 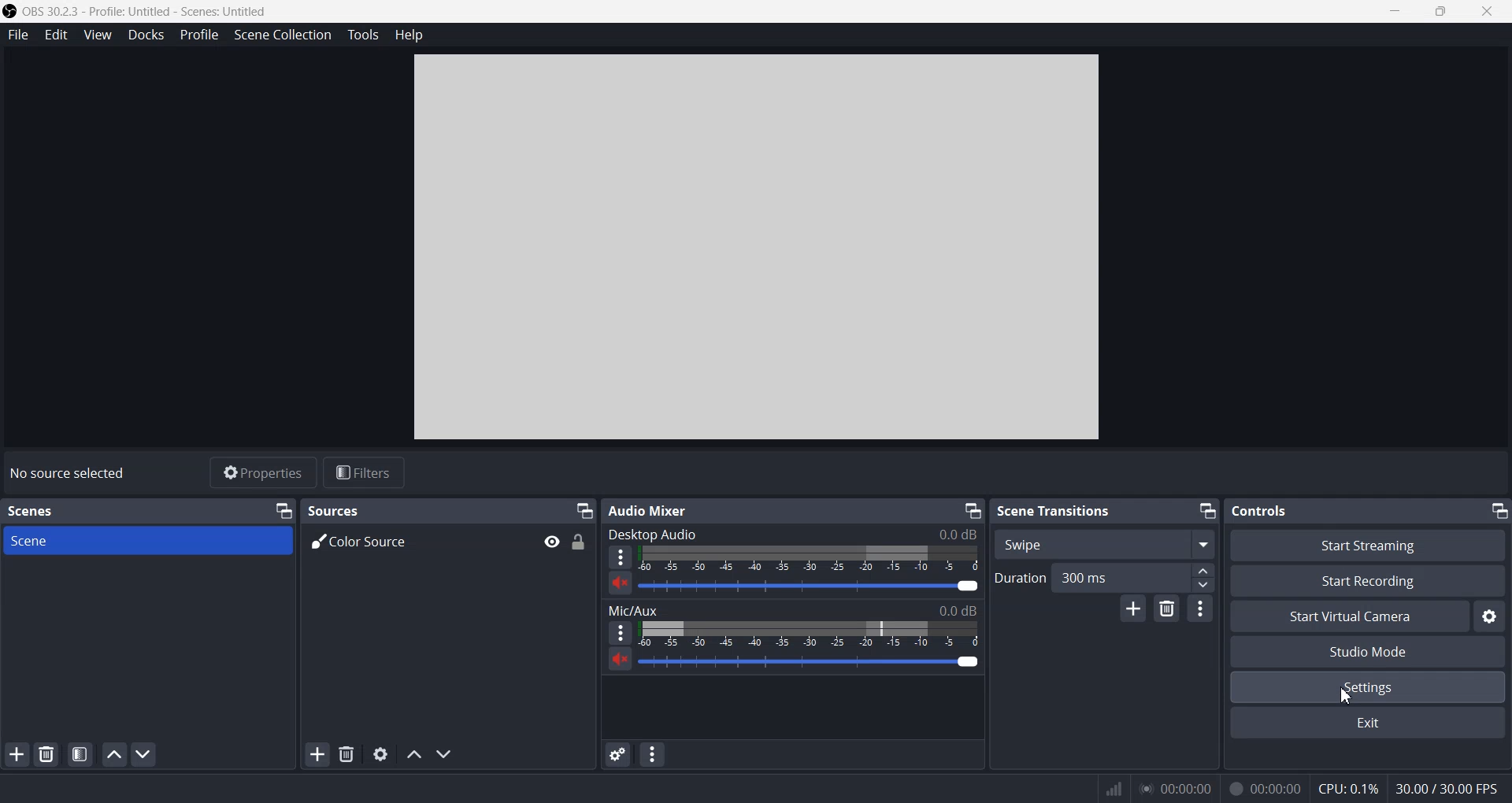 What do you see at coordinates (339, 511) in the screenshot?
I see `Text` at bounding box center [339, 511].